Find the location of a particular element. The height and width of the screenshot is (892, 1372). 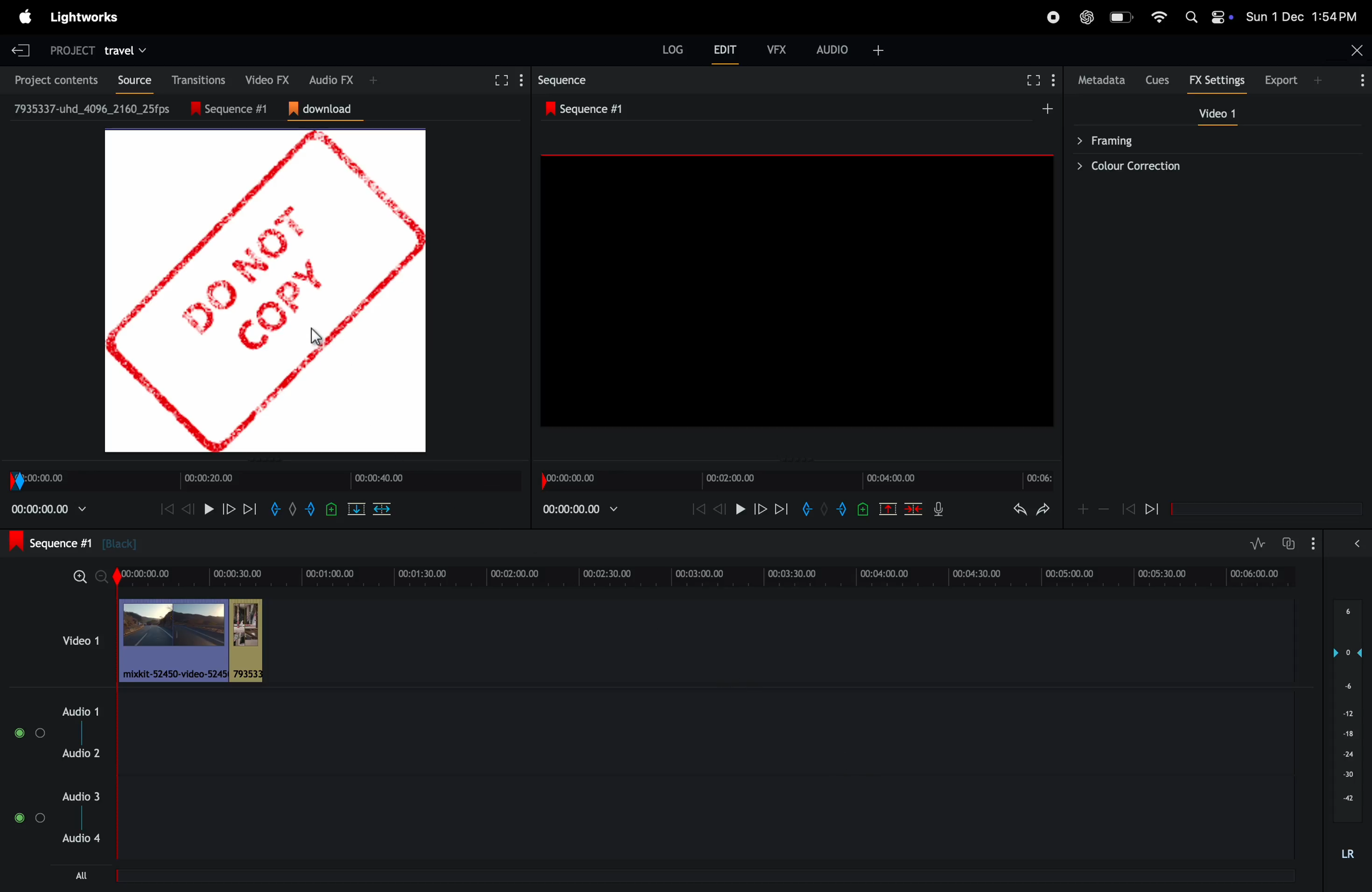

colour correction is located at coordinates (1209, 166).